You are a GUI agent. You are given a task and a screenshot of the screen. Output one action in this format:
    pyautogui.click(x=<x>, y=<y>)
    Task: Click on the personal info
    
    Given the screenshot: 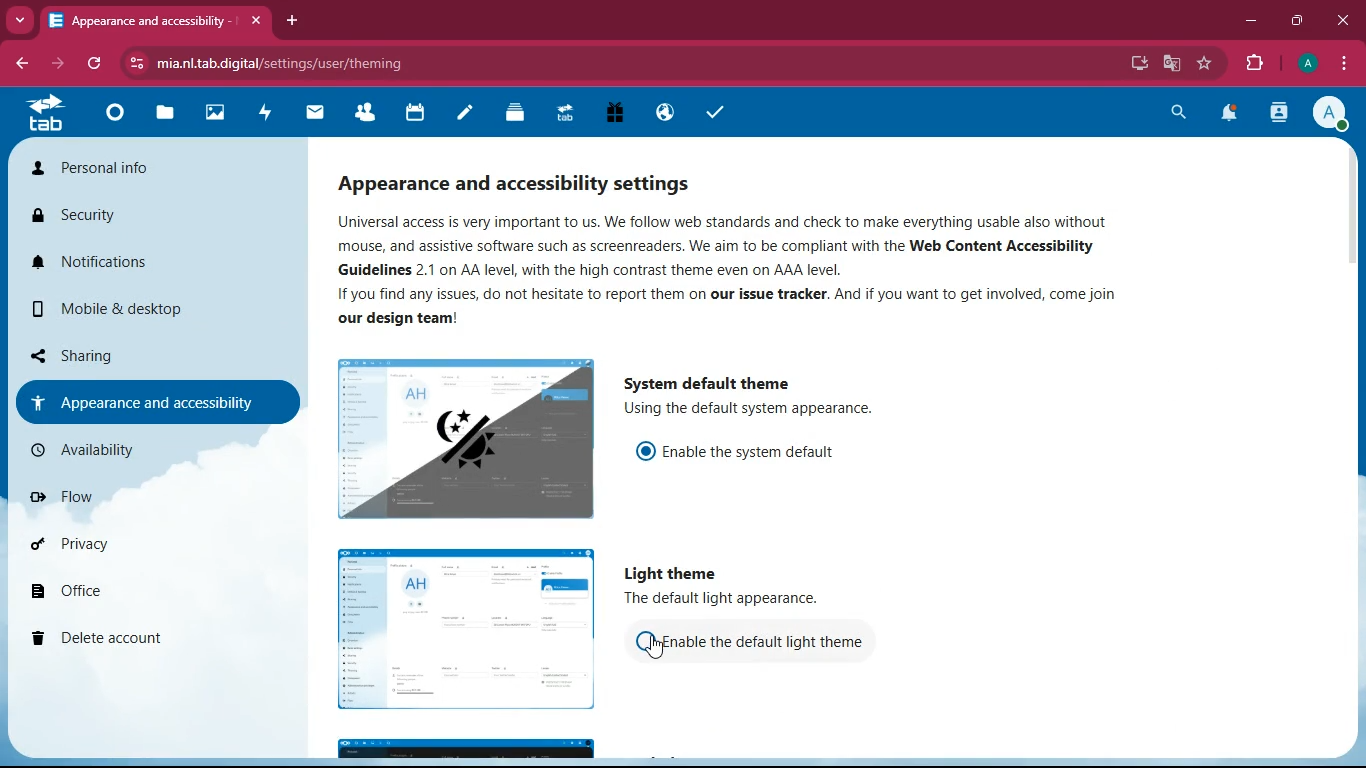 What is the action you would take?
    pyautogui.click(x=155, y=171)
    